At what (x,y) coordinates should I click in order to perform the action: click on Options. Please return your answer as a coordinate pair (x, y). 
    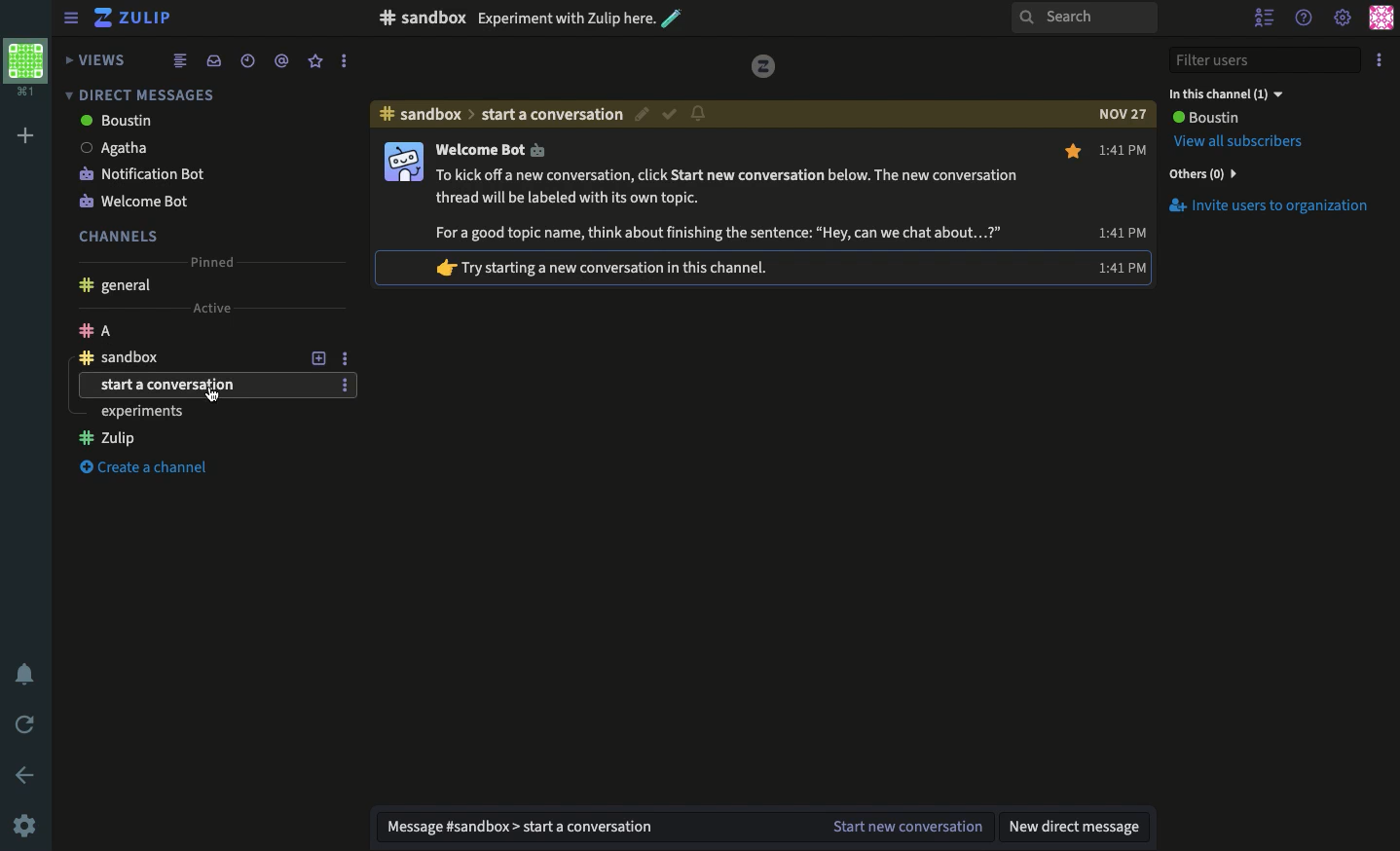
    Looking at the image, I should click on (345, 356).